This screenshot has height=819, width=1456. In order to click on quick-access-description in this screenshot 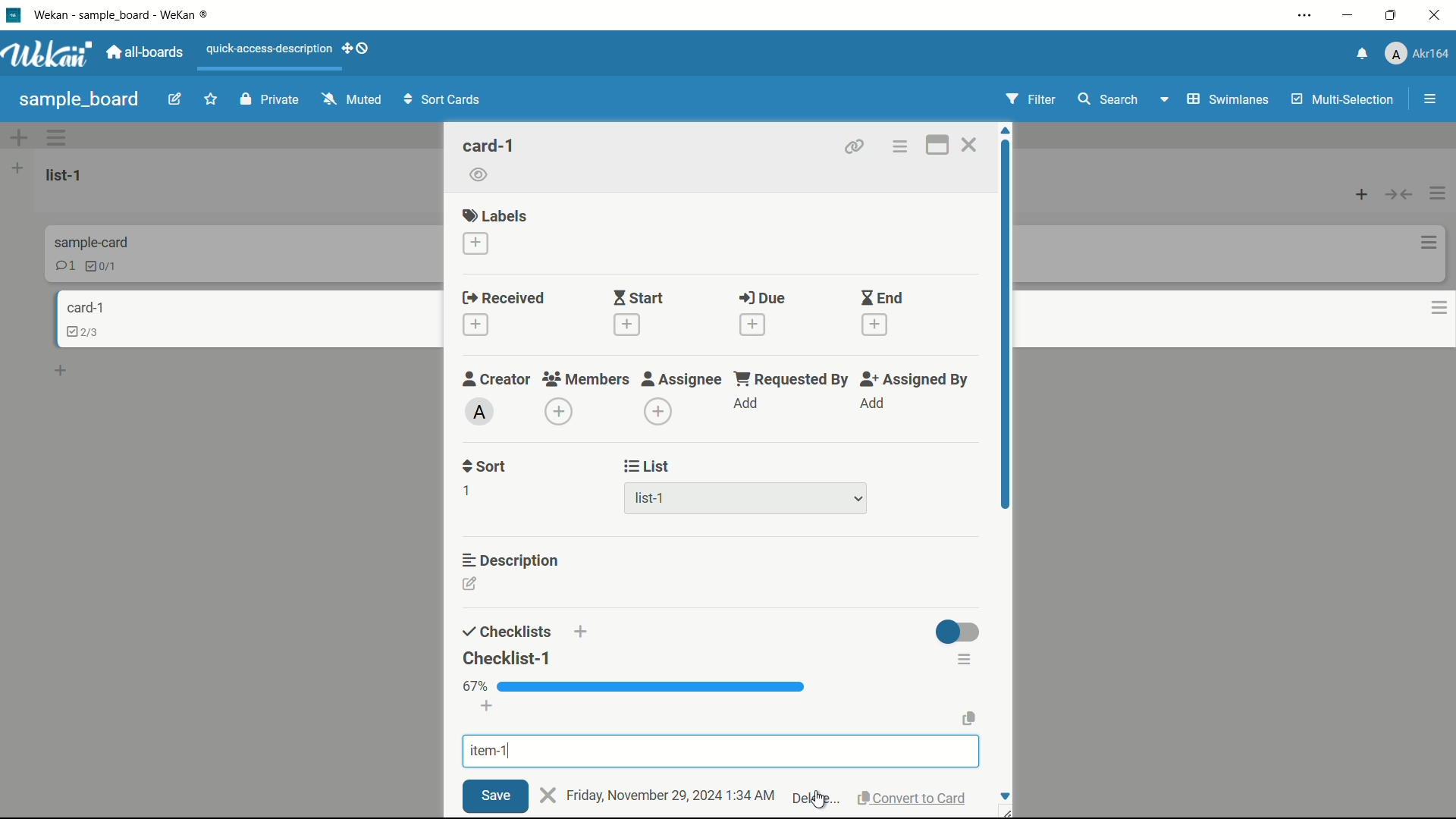, I will do `click(270, 50)`.